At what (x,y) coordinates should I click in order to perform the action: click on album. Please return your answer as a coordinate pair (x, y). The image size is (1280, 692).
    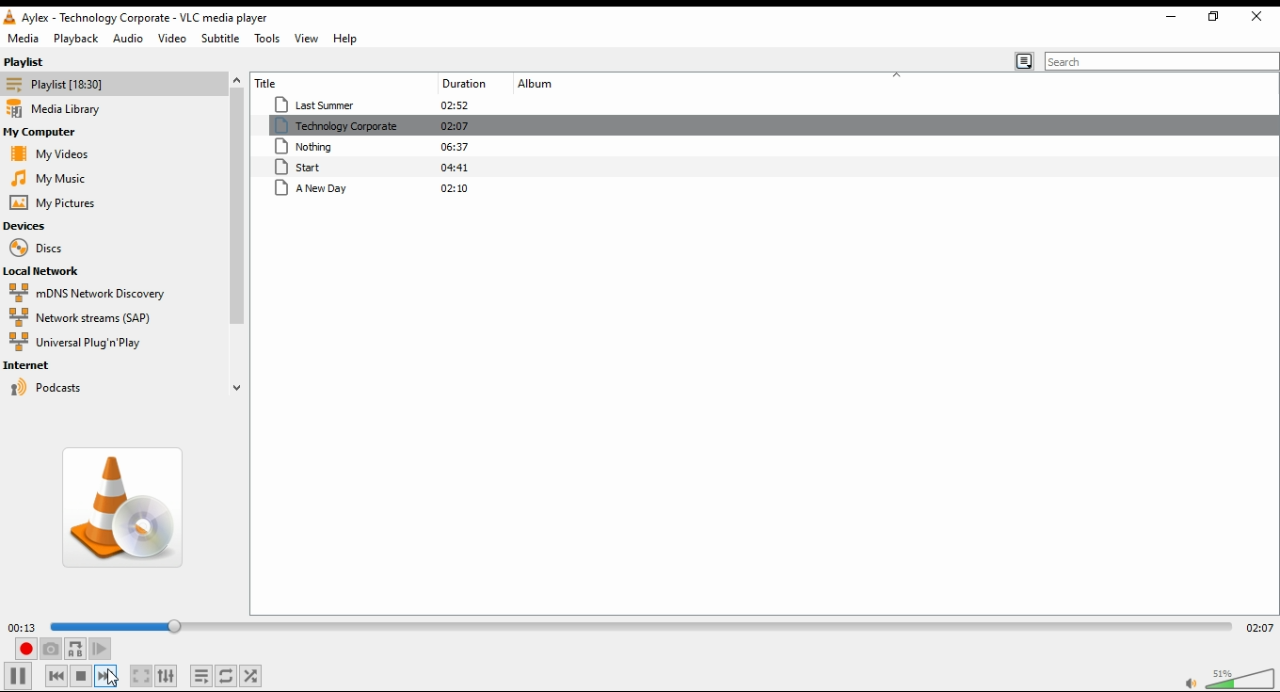
    Looking at the image, I should click on (540, 82).